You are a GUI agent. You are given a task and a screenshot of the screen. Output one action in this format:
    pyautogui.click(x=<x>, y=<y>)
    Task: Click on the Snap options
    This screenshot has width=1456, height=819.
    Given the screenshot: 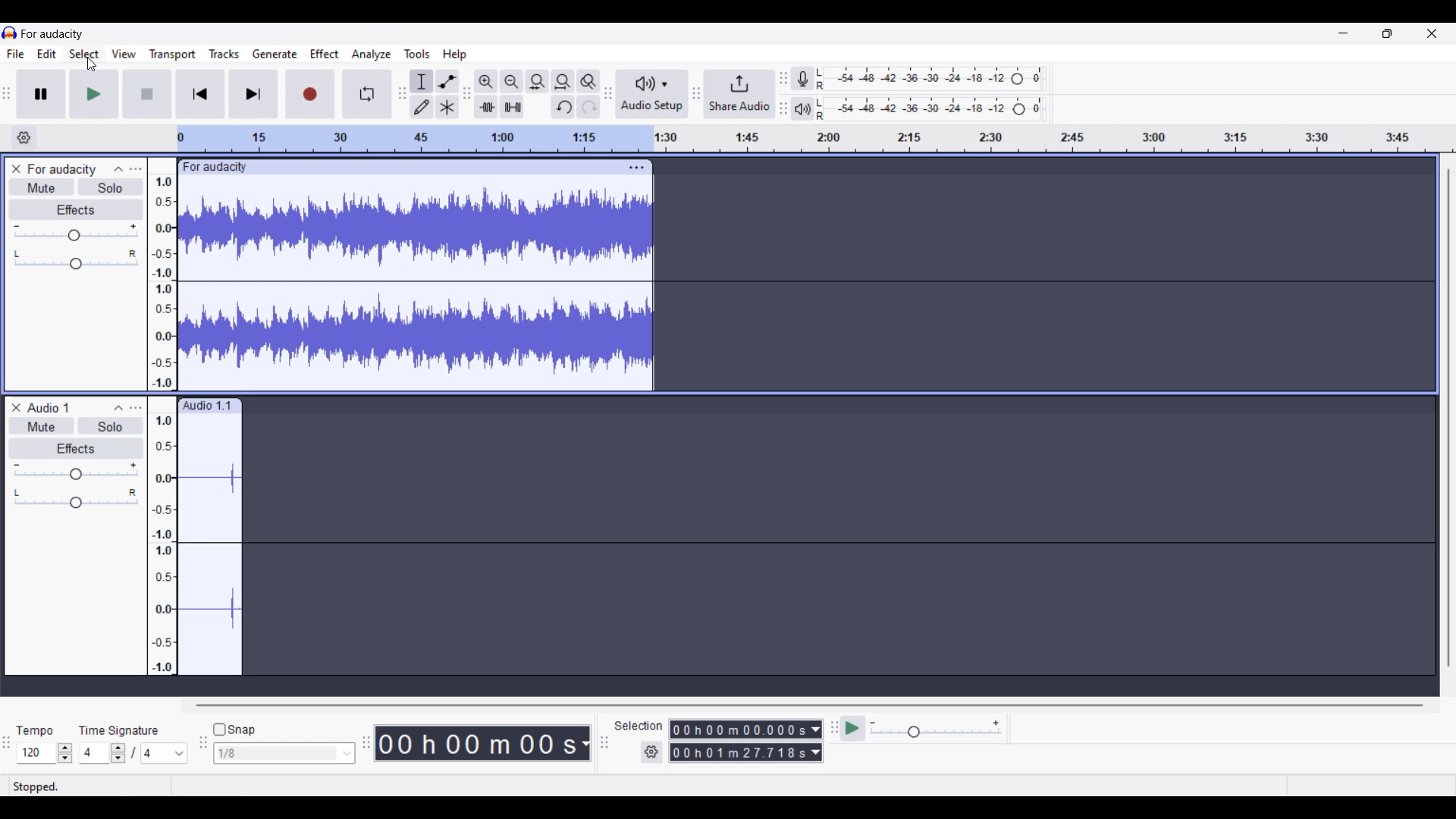 What is the action you would take?
    pyautogui.click(x=284, y=753)
    